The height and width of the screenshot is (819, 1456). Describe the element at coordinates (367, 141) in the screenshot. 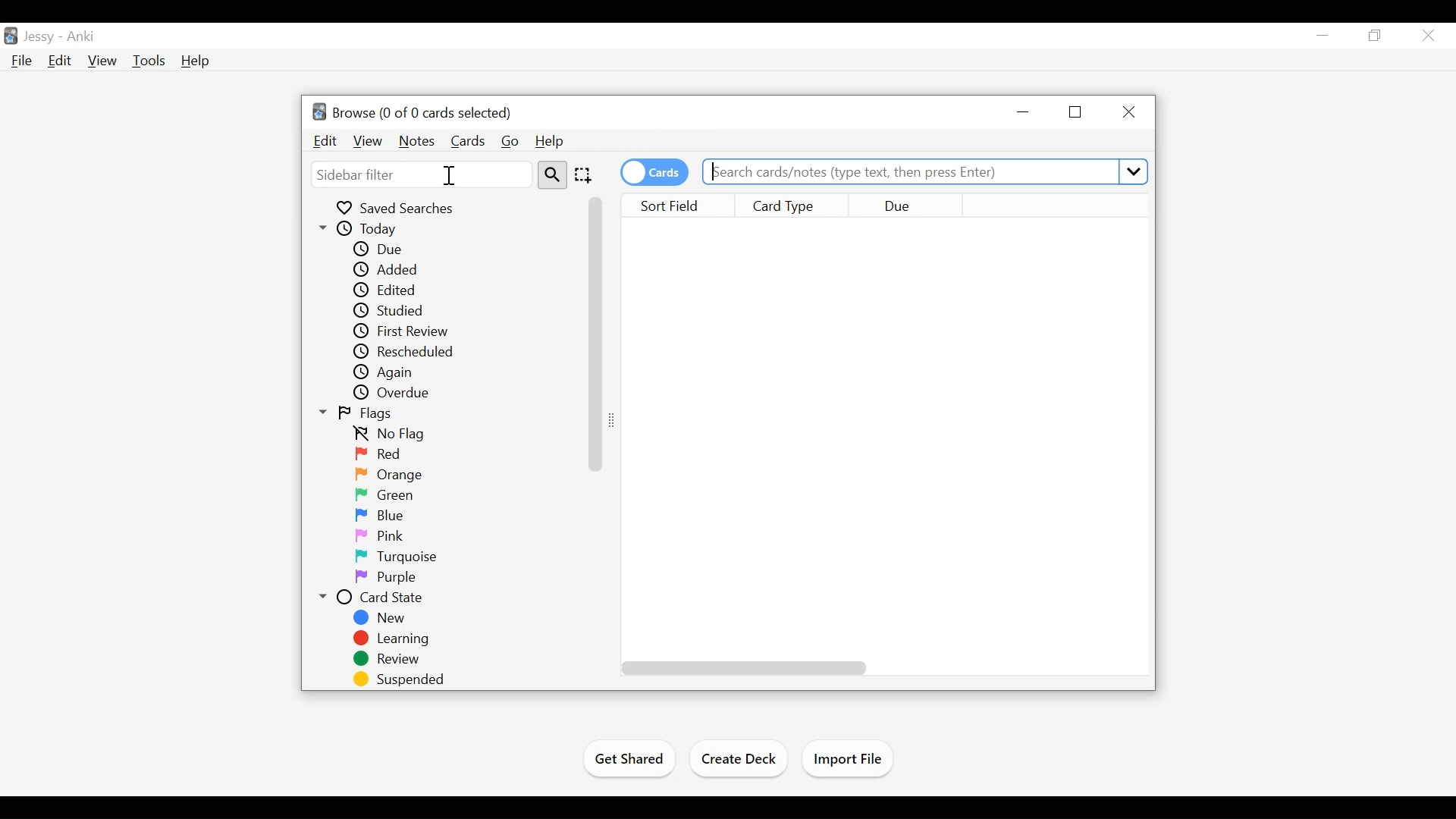

I see `View` at that location.